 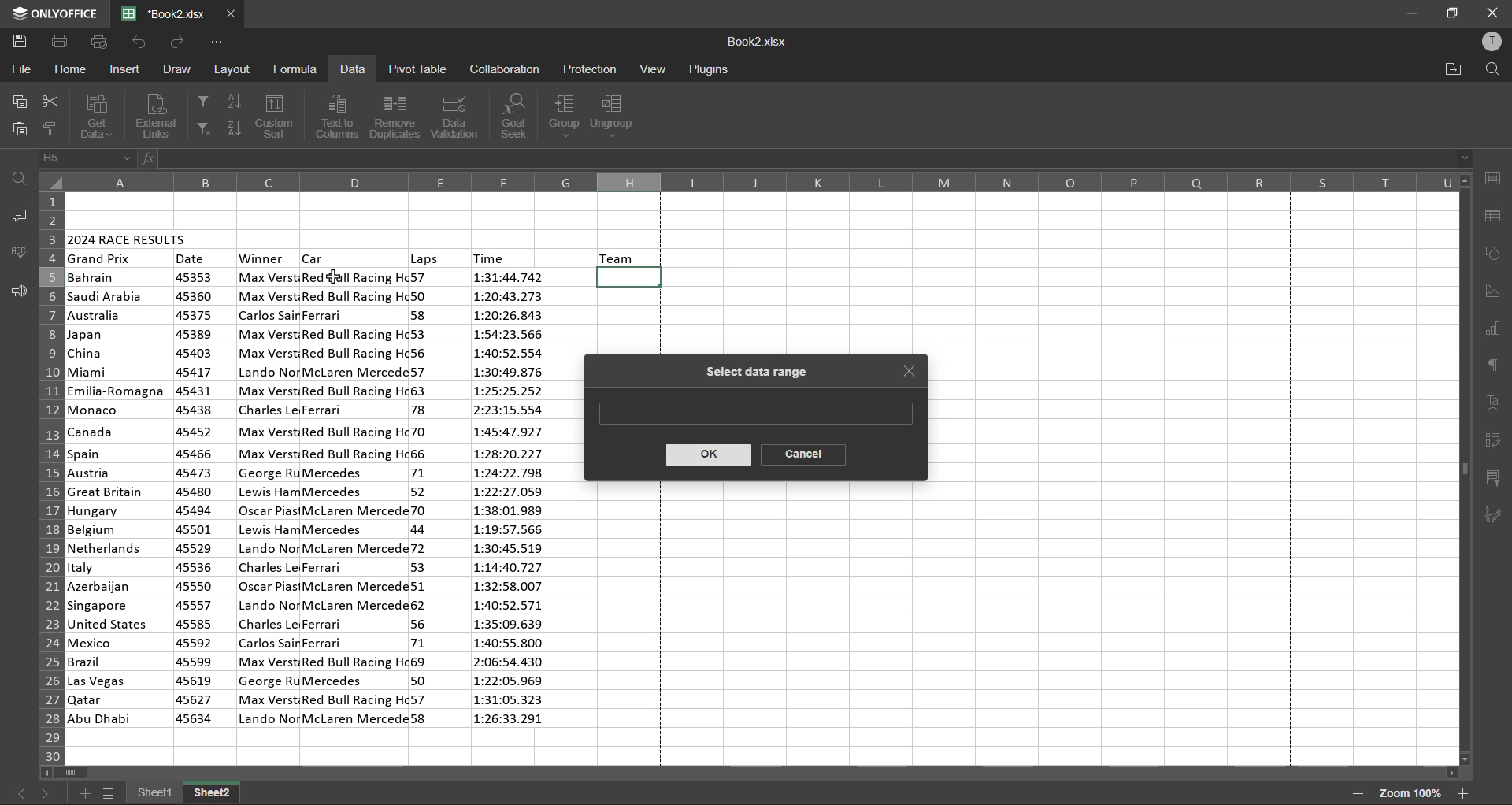 What do you see at coordinates (179, 42) in the screenshot?
I see `redo` at bounding box center [179, 42].